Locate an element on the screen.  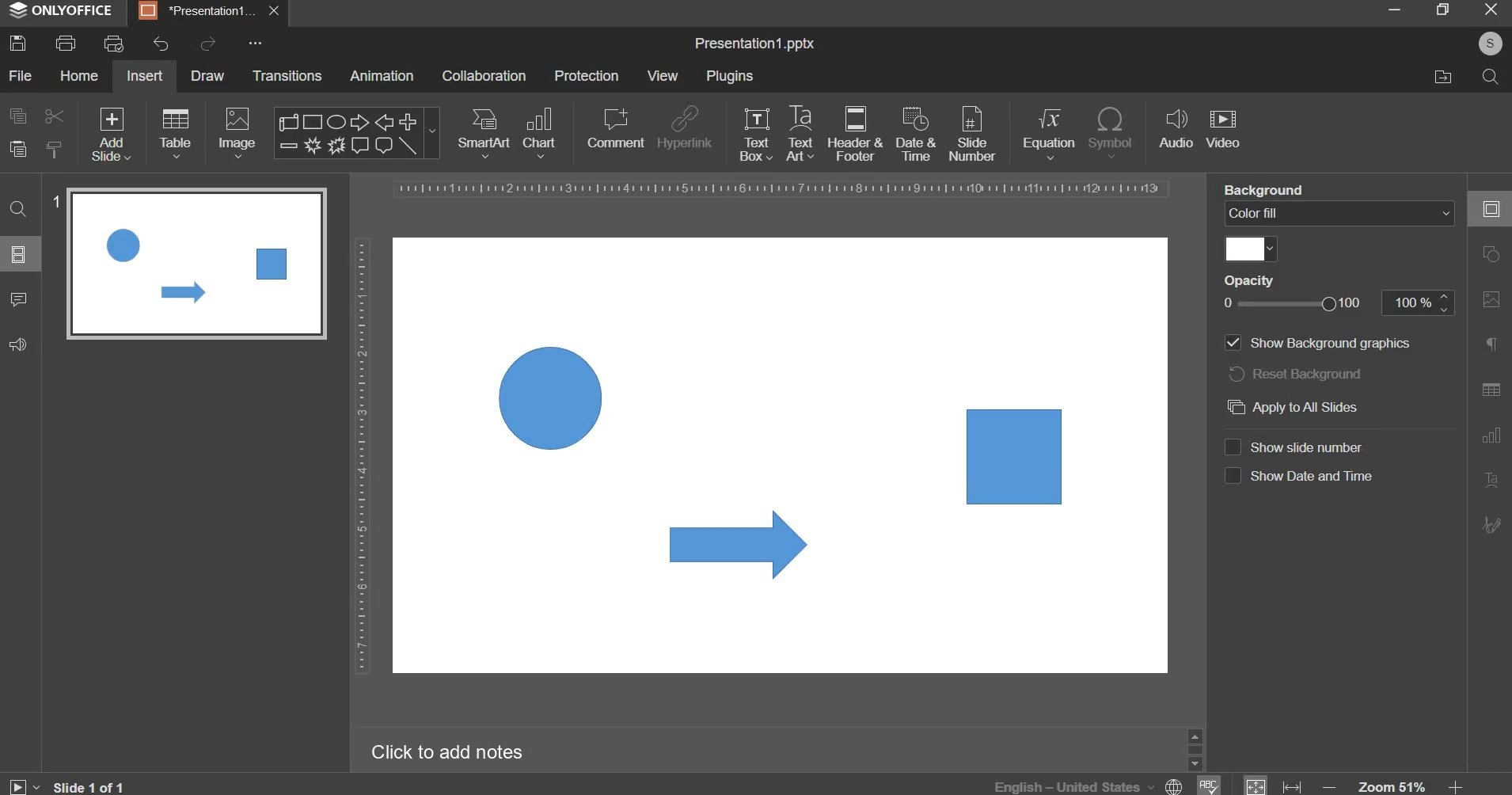
Opacity is located at coordinates (1254, 280).